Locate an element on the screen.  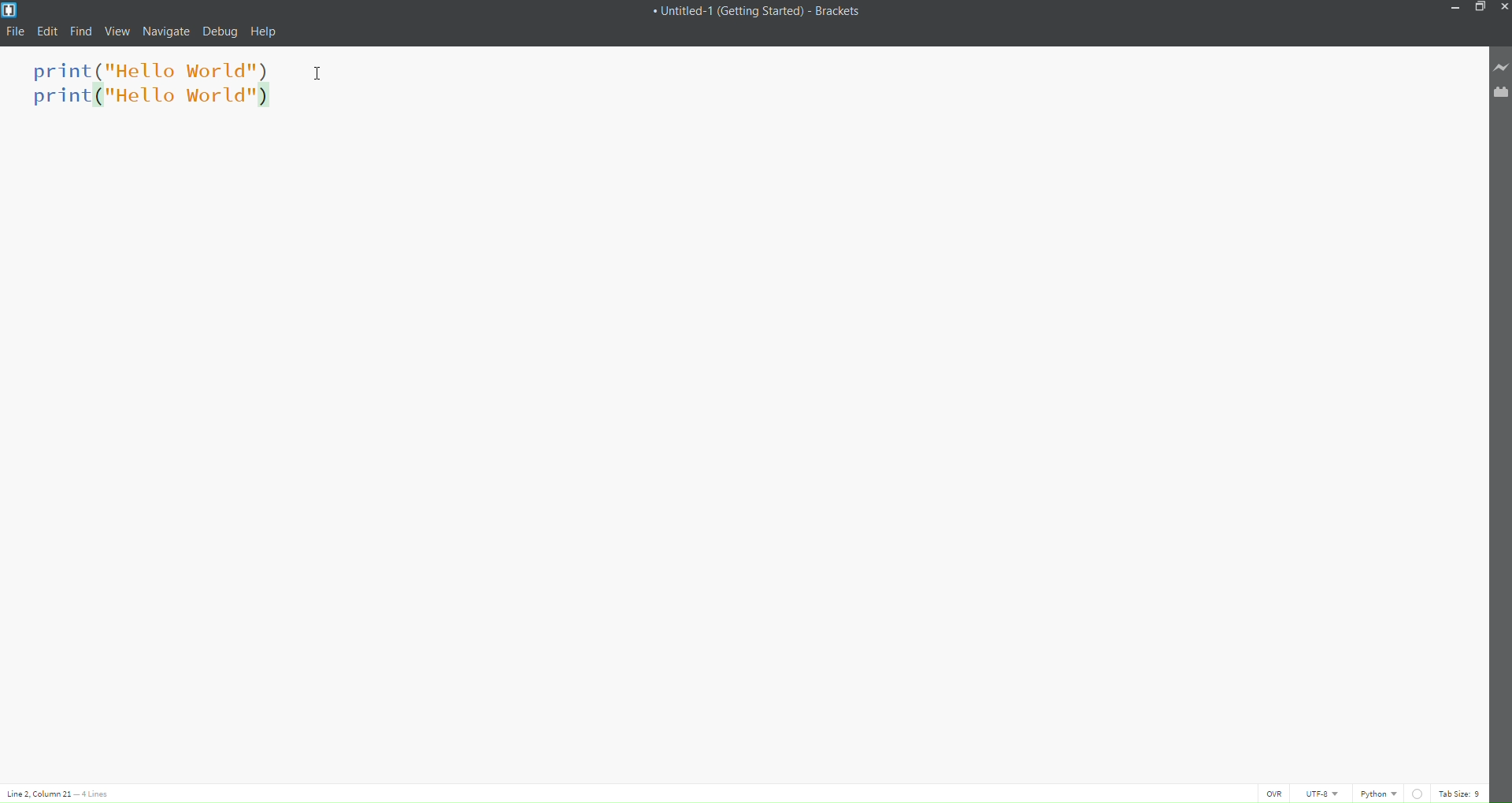
tab size is located at coordinates (1461, 794).